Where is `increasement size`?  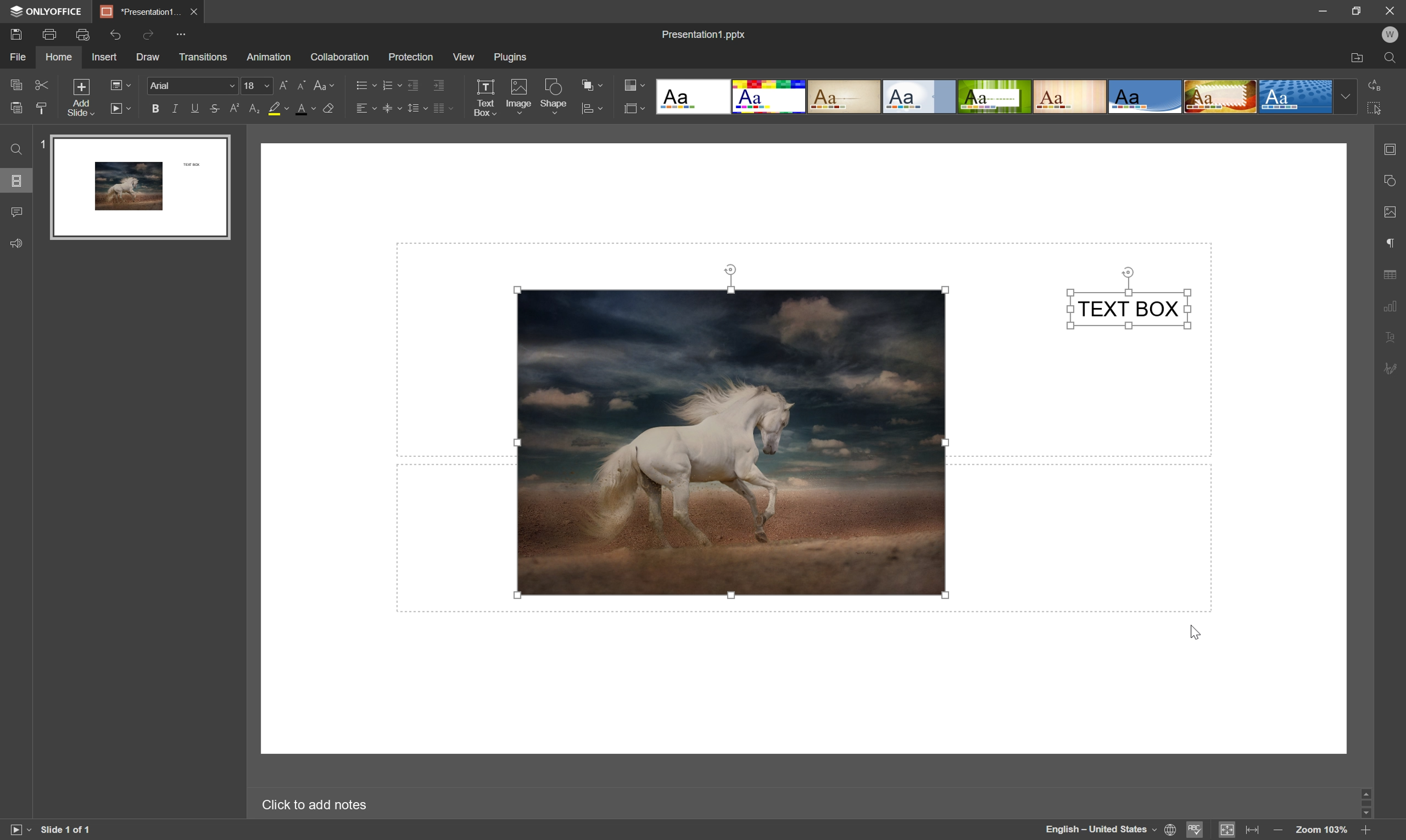 increasement size is located at coordinates (286, 85).